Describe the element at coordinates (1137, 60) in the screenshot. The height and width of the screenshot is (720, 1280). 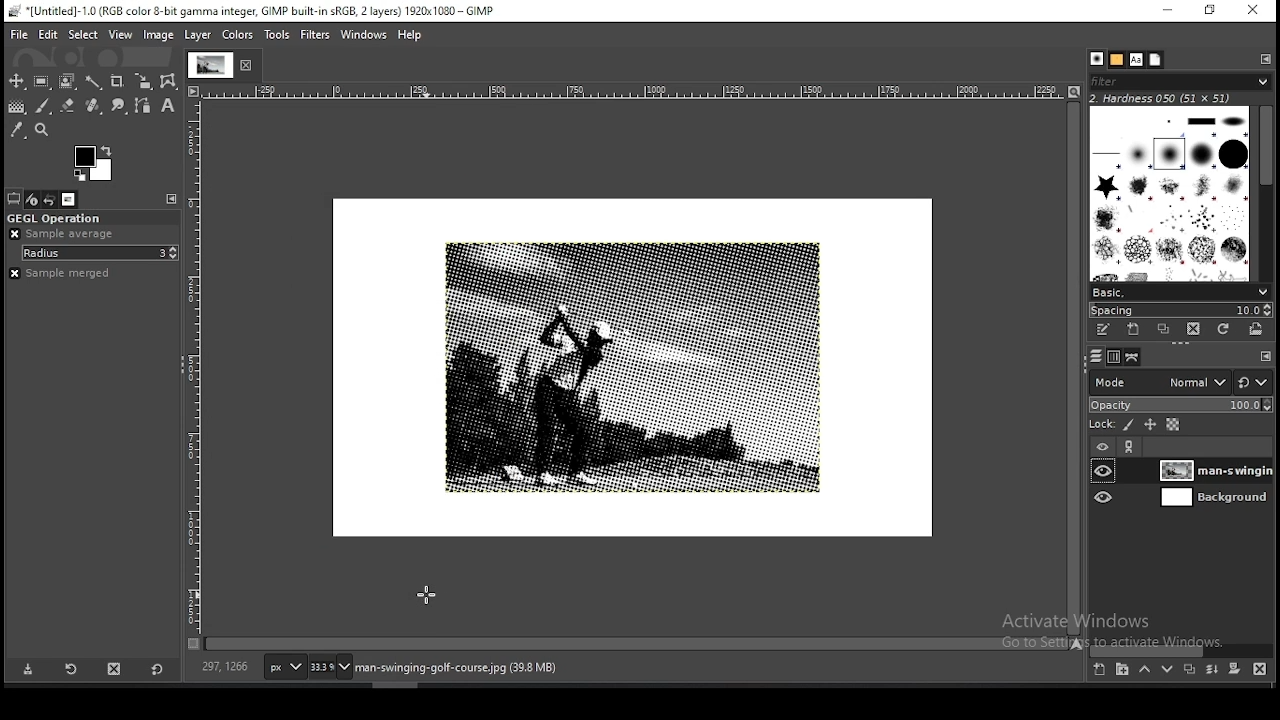
I see `fonts` at that location.